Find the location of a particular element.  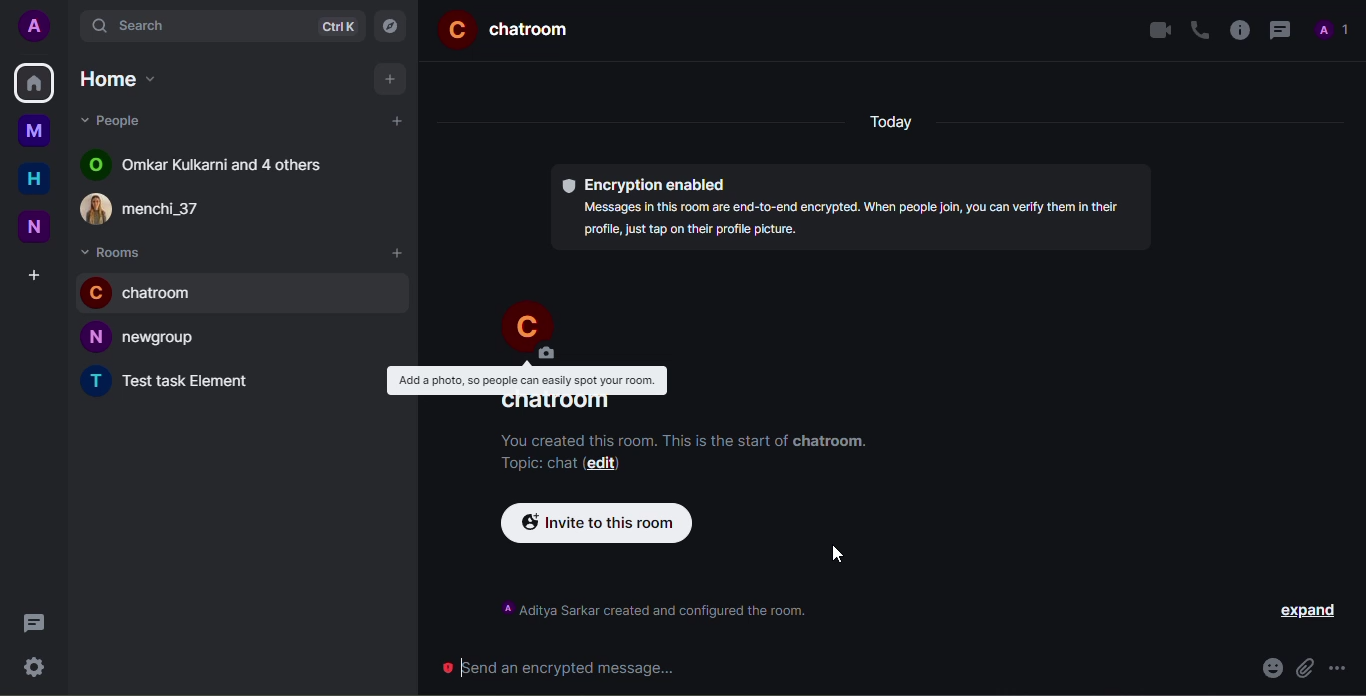

threads is located at coordinates (33, 623).